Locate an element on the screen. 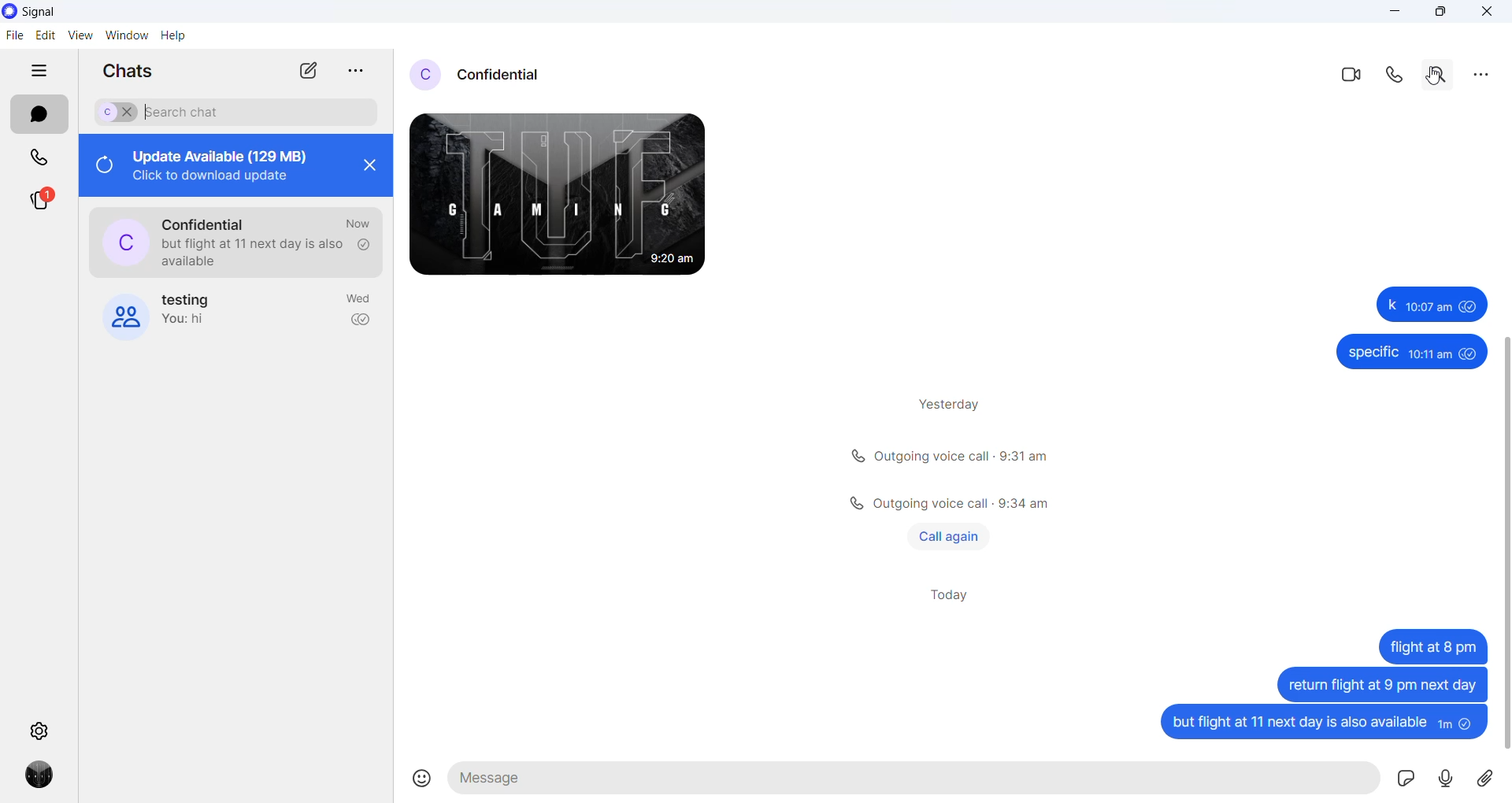 The image size is (1512, 803). last message is located at coordinates (197, 322).